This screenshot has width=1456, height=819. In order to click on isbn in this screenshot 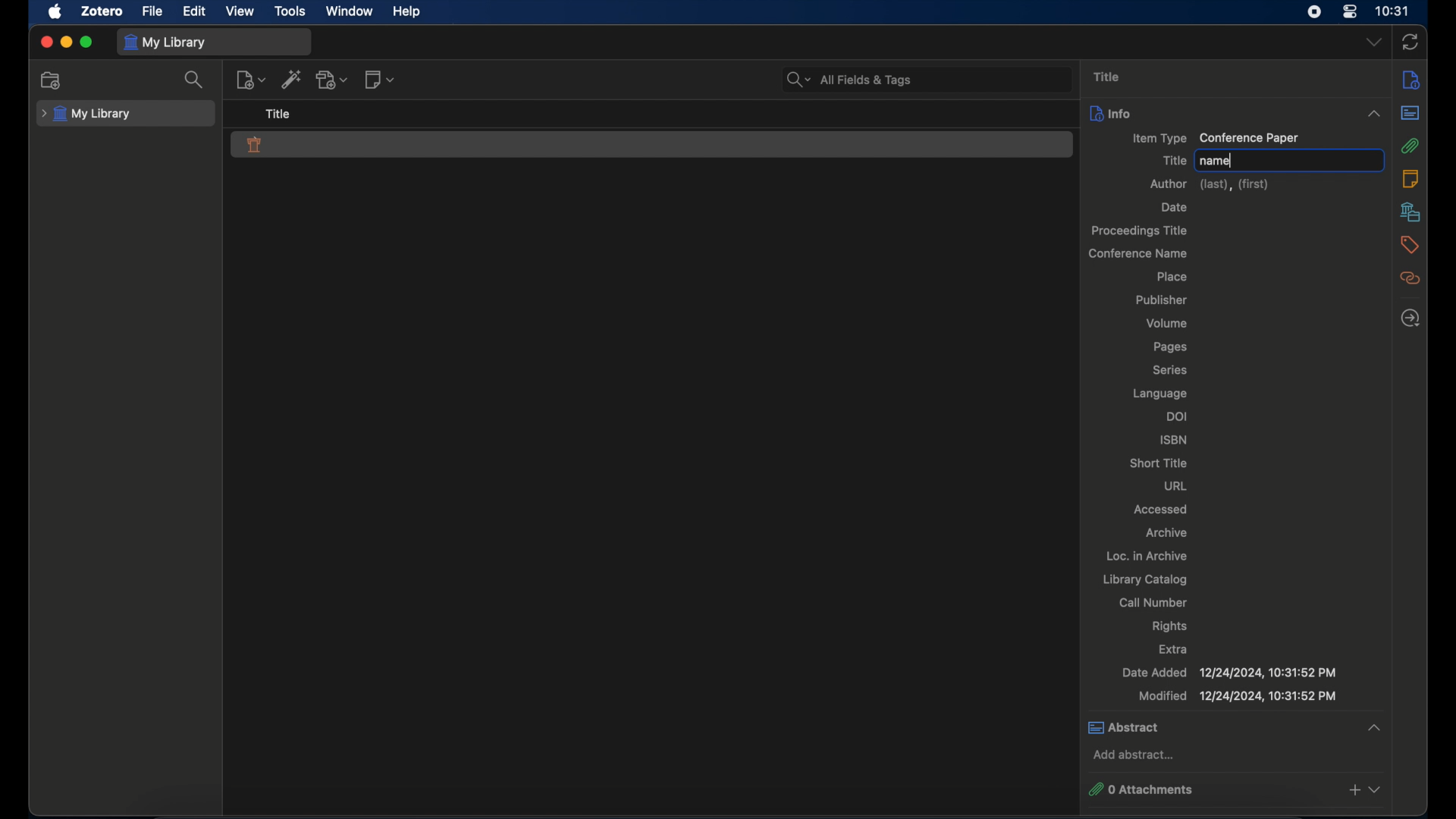, I will do `click(1174, 440)`.